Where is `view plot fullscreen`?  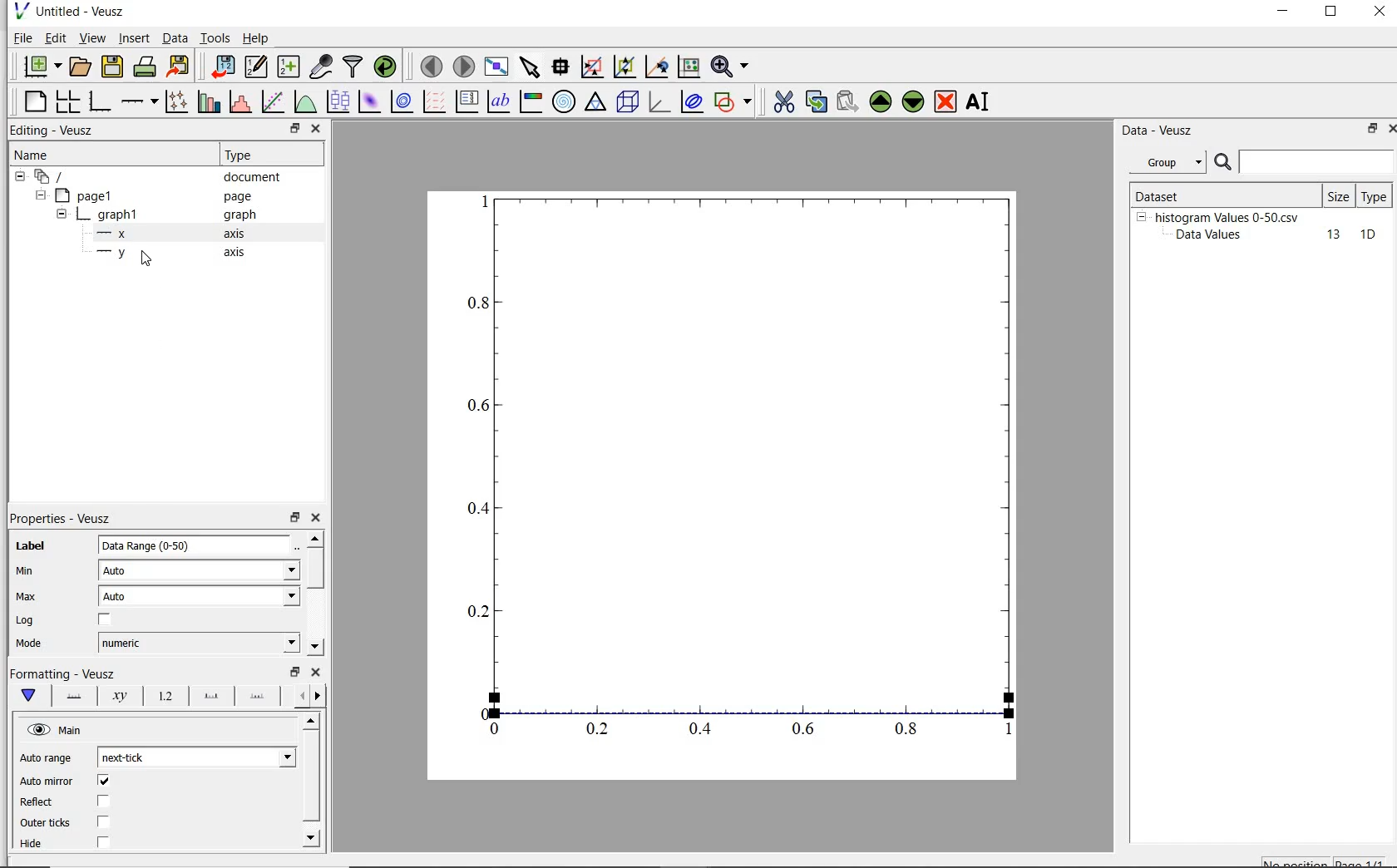 view plot fullscreen is located at coordinates (496, 65).